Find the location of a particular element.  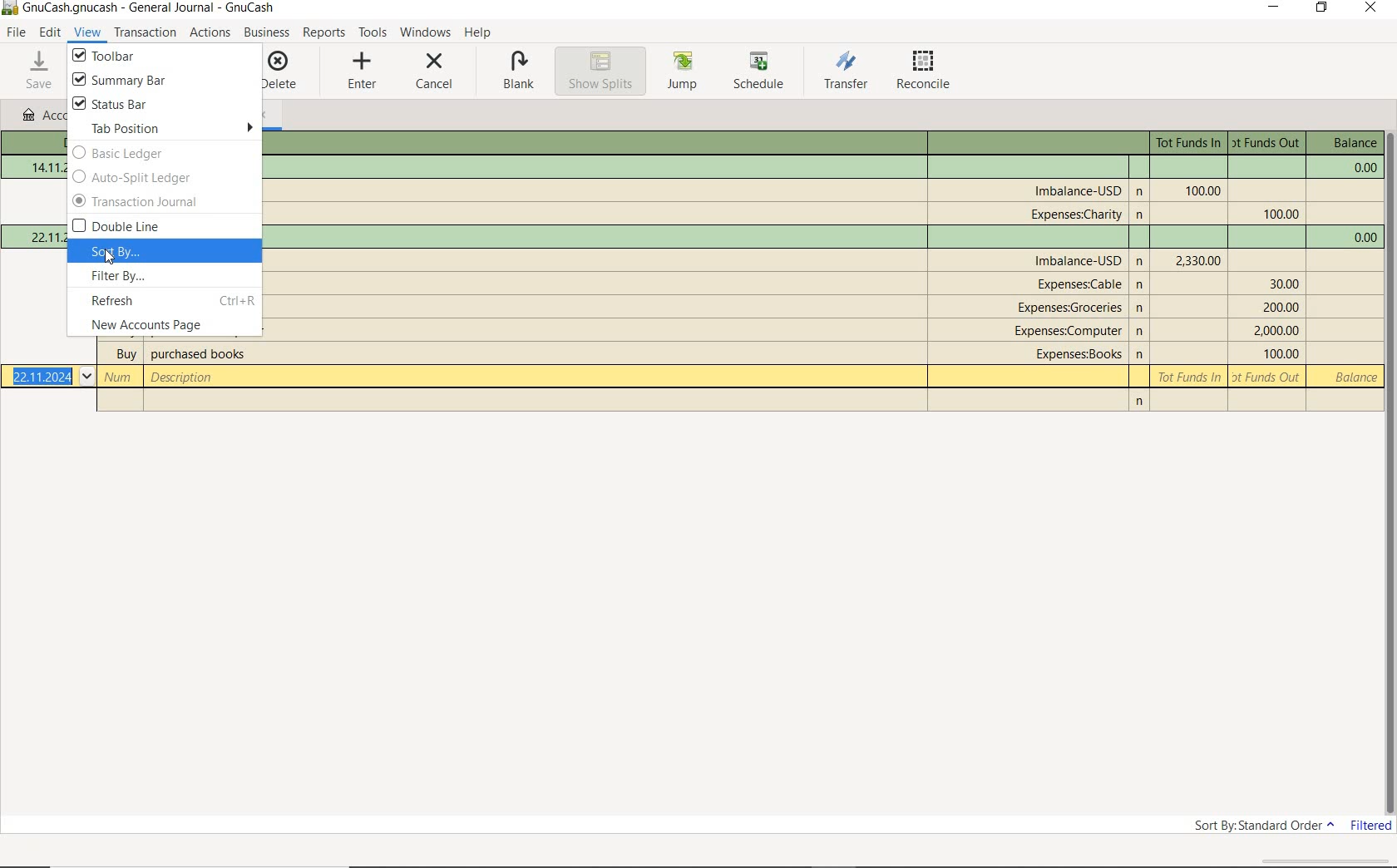

HELP is located at coordinates (481, 32).